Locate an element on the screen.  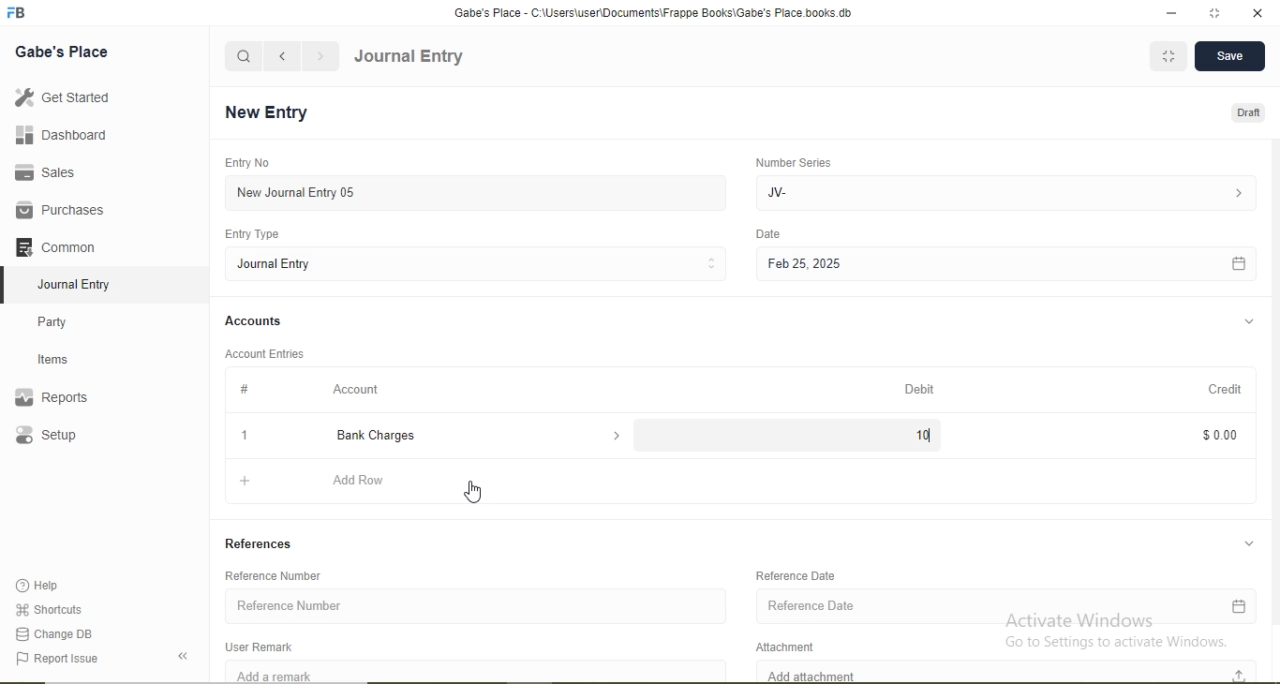
Save is located at coordinates (1228, 57).